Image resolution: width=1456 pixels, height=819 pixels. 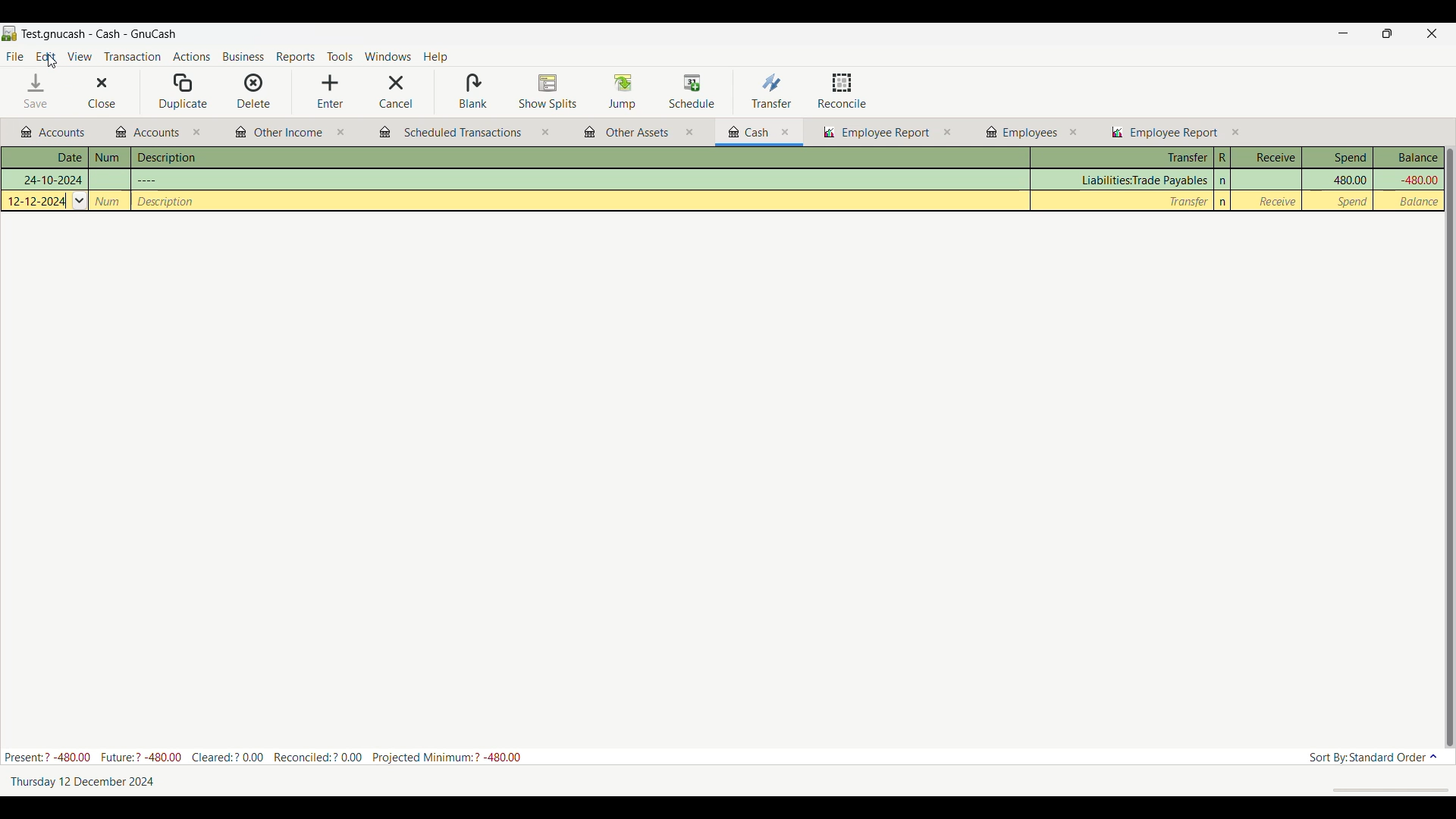 I want to click on , so click(x=167, y=201).